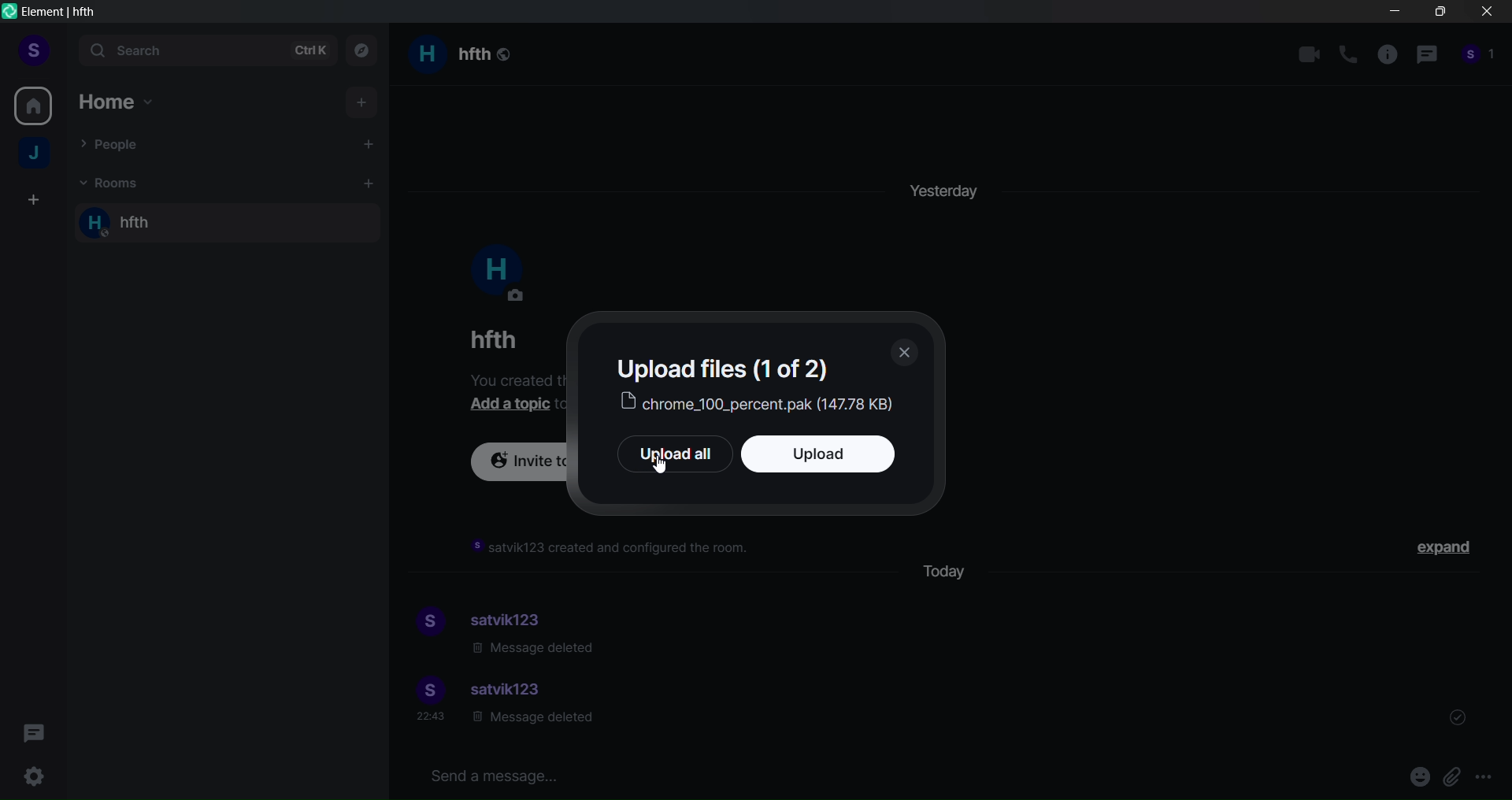  What do you see at coordinates (1452, 778) in the screenshot?
I see `attachment` at bounding box center [1452, 778].